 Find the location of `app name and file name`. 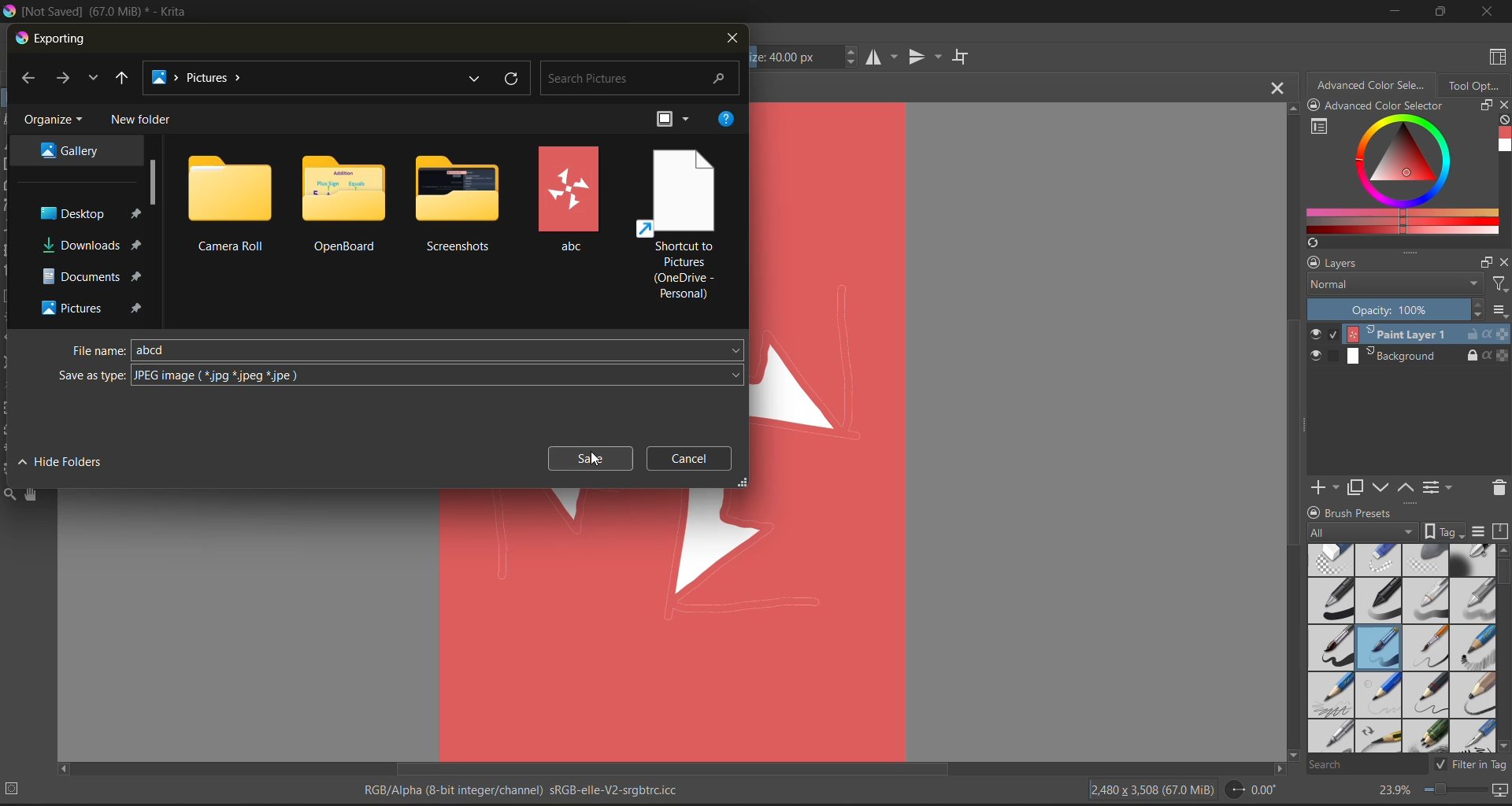

app name and file name is located at coordinates (109, 13).